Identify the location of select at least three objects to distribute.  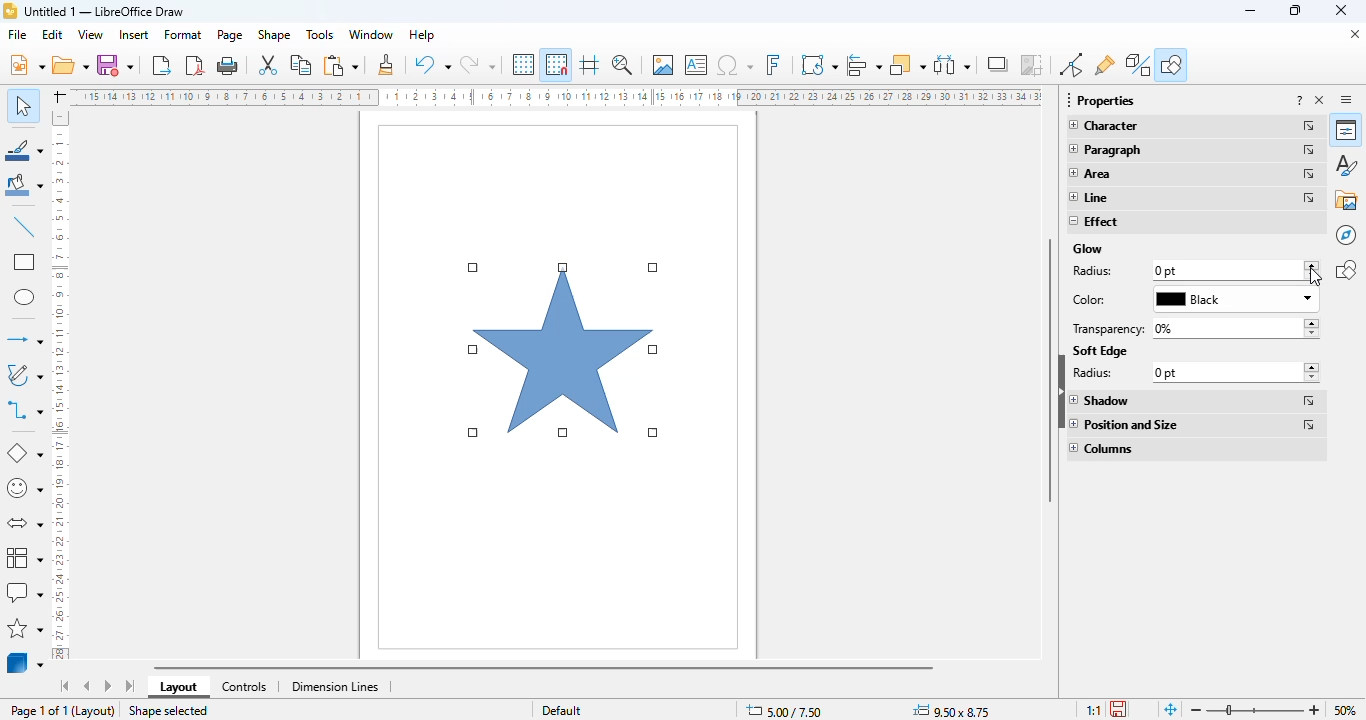
(952, 64).